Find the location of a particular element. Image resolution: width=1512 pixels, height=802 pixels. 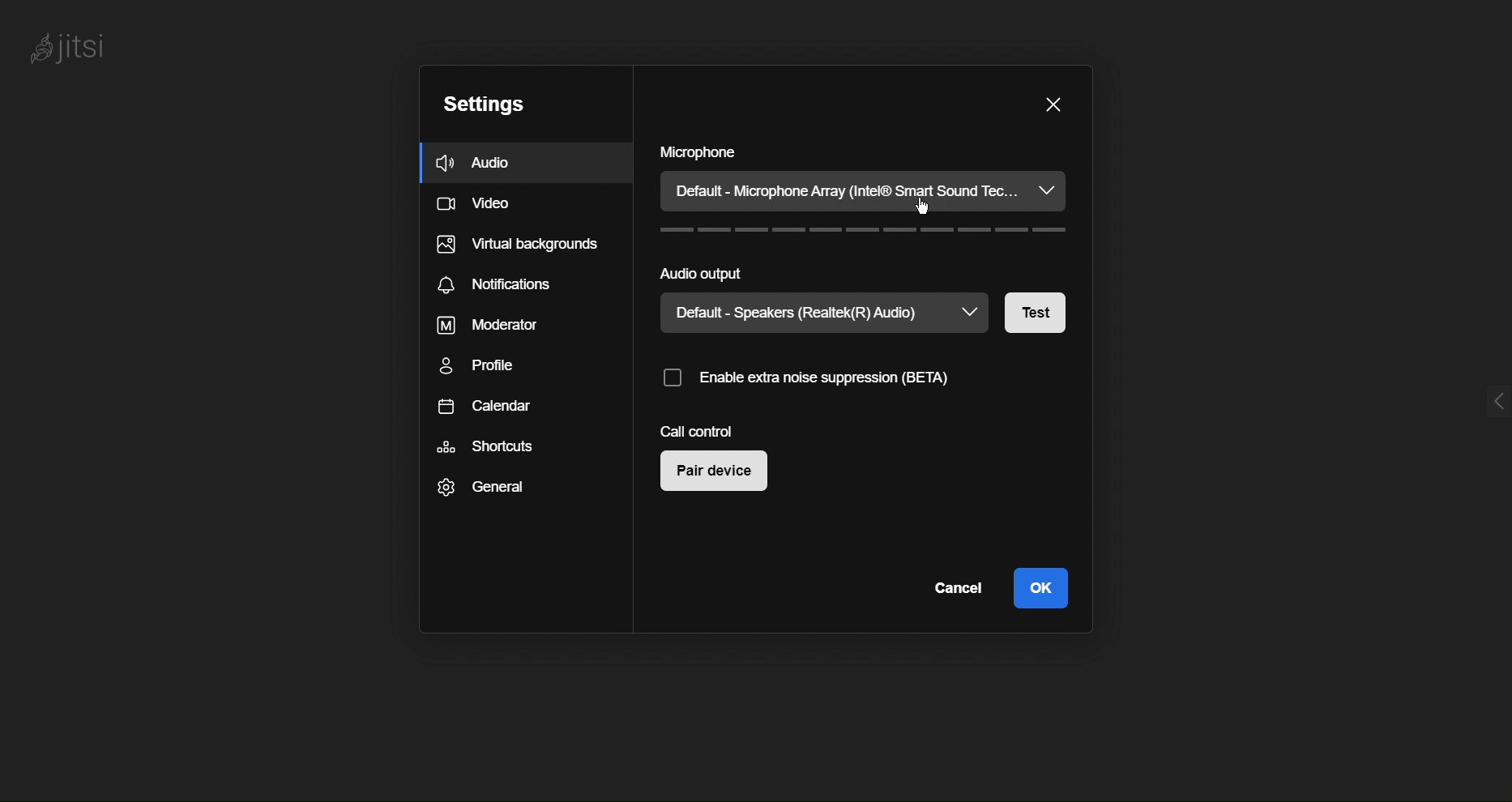

Call Control is located at coordinates (703, 430).